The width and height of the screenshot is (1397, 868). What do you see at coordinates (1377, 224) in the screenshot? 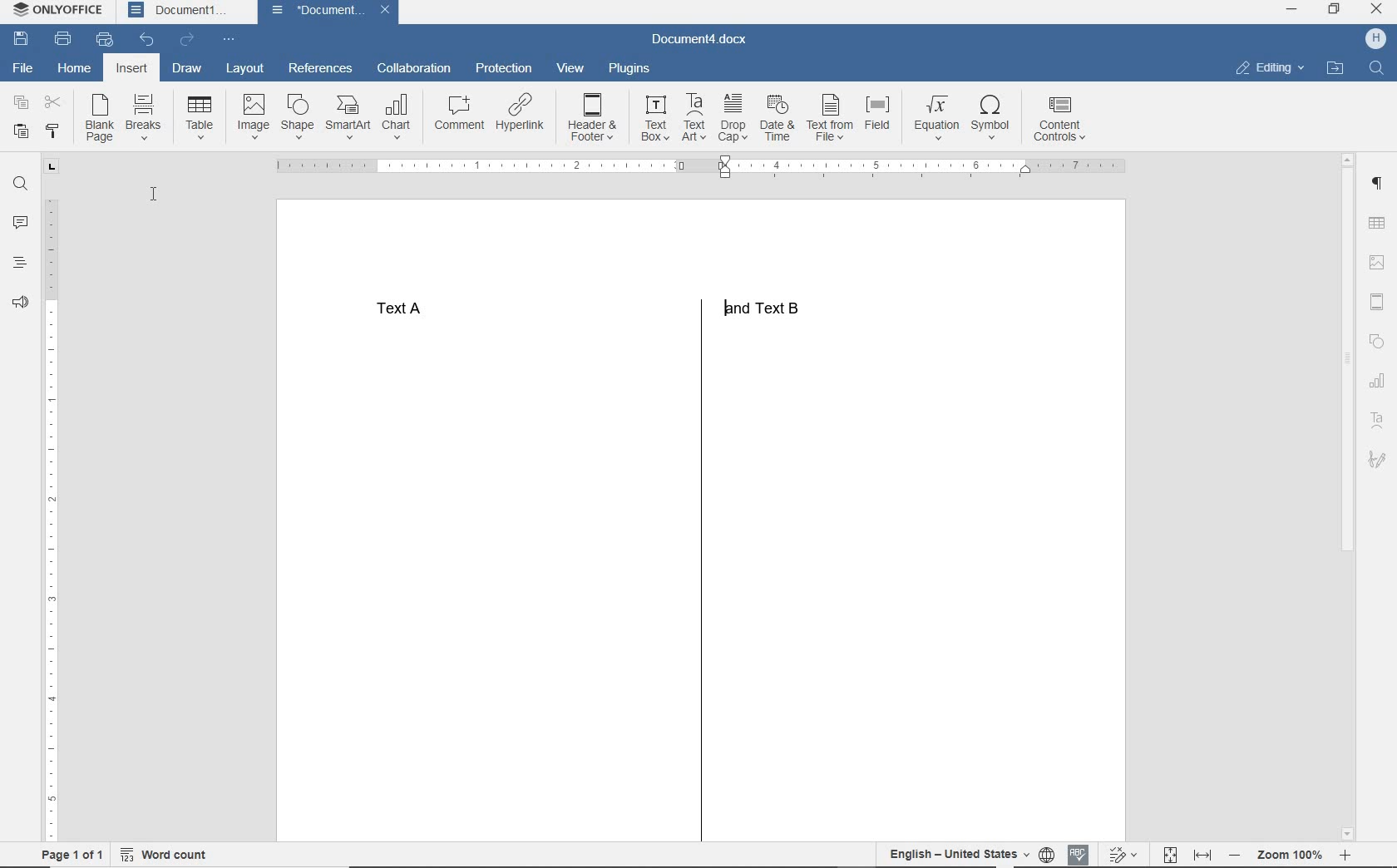
I see `TABLE` at bounding box center [1377, 224].